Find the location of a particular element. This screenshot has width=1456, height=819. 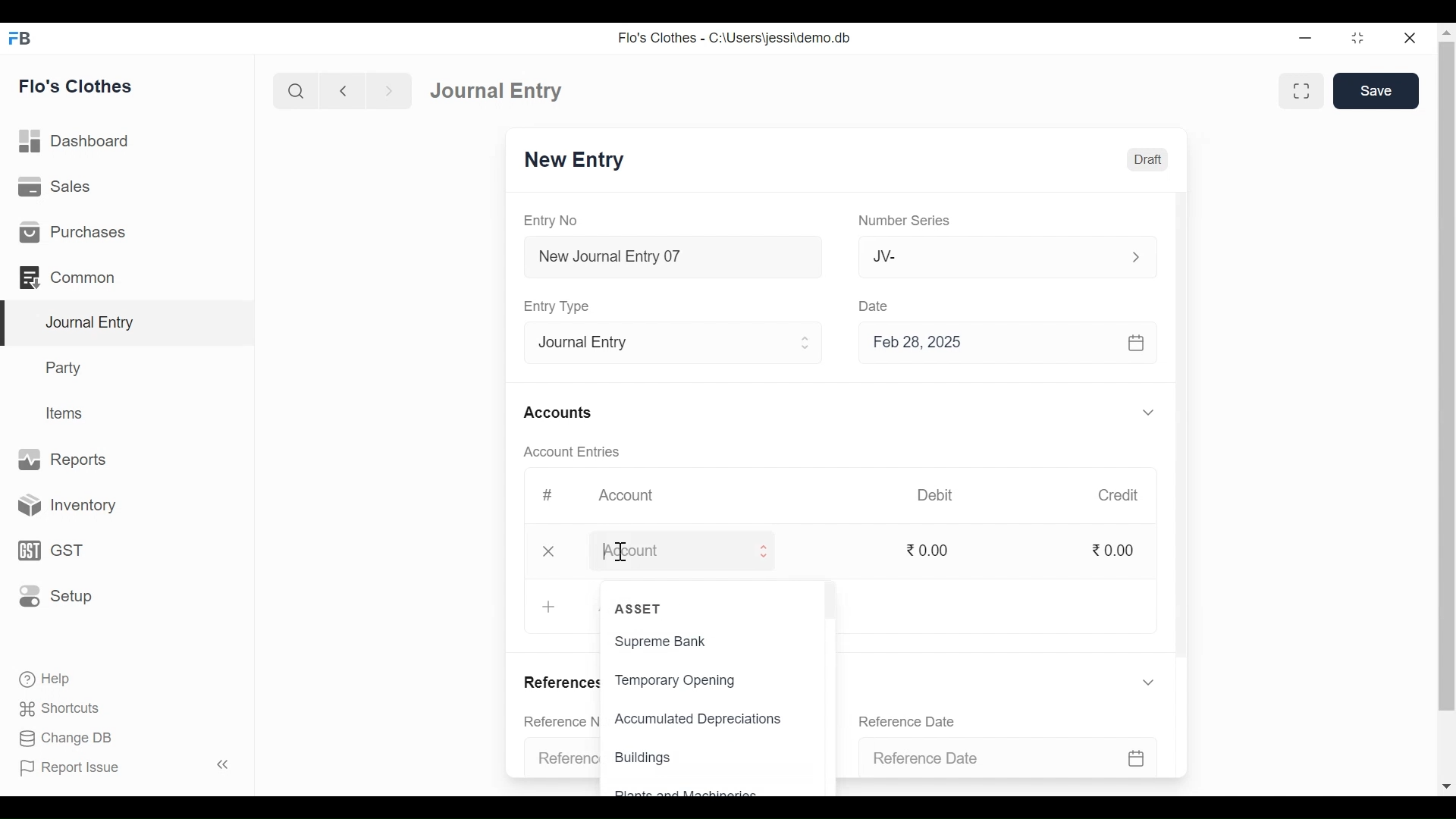

Credit is located at coordinates (1129, 496).